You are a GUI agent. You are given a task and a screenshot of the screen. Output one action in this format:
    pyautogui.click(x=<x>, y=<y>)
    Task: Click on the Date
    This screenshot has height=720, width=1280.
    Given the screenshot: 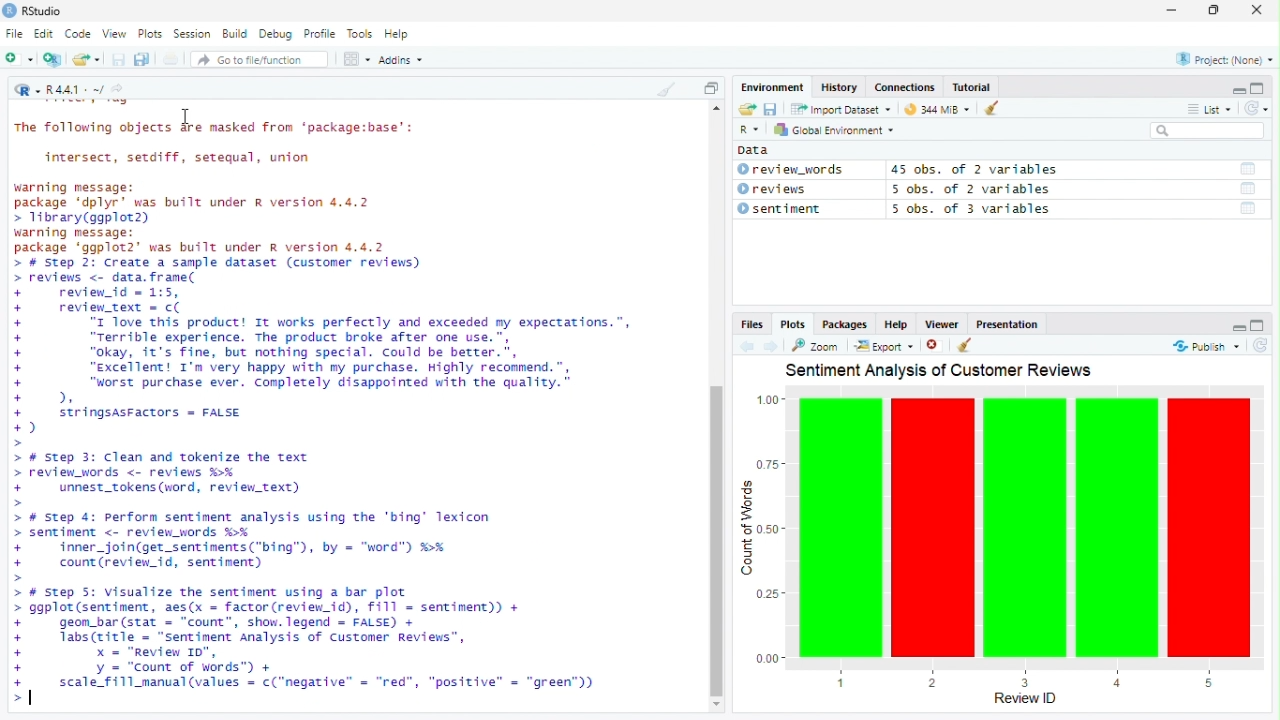 What is the action you would take?
    pyautogui.click(x=1249, y=189)
    